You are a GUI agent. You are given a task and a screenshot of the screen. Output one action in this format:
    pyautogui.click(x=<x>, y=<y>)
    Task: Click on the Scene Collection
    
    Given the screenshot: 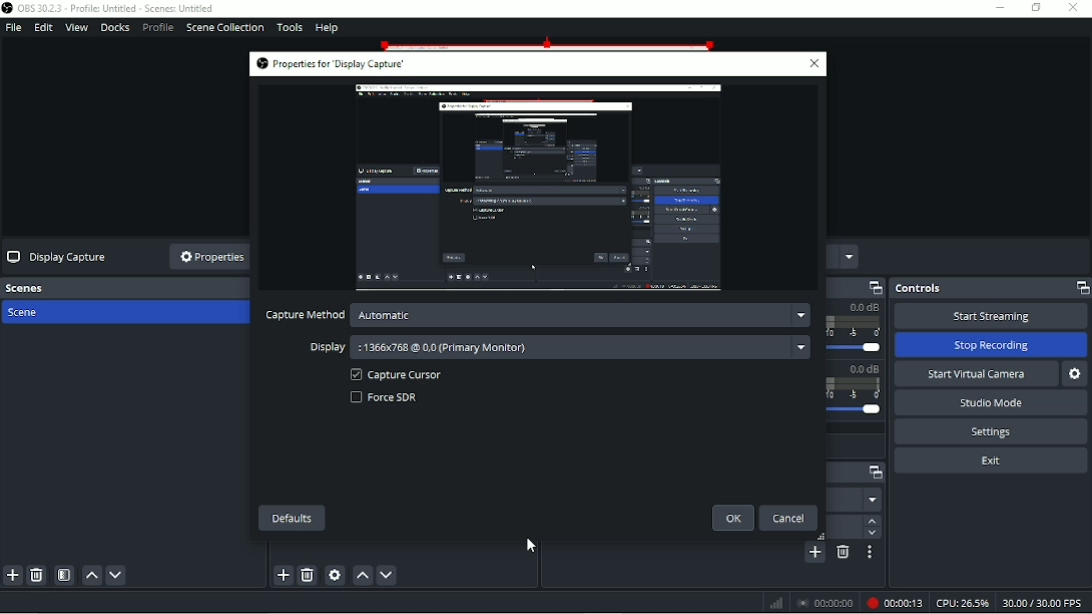 What is the action you would take?
    pyautogui.click(x=224, y=28)
    